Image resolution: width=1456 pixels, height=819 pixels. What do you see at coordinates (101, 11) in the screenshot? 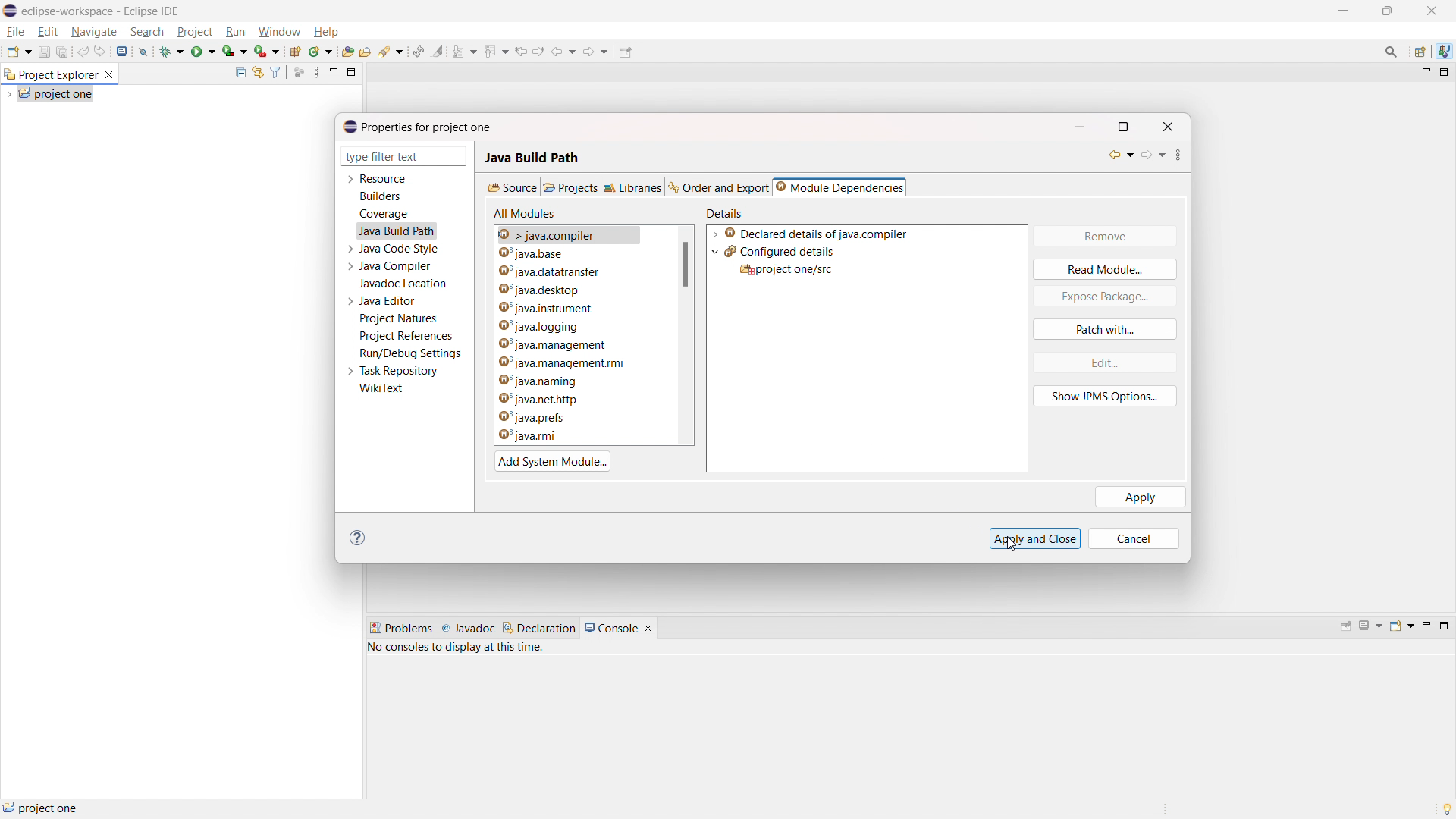
I see `eclipse-workspace - Eclipse IDE` at bounding box center [101, 11].